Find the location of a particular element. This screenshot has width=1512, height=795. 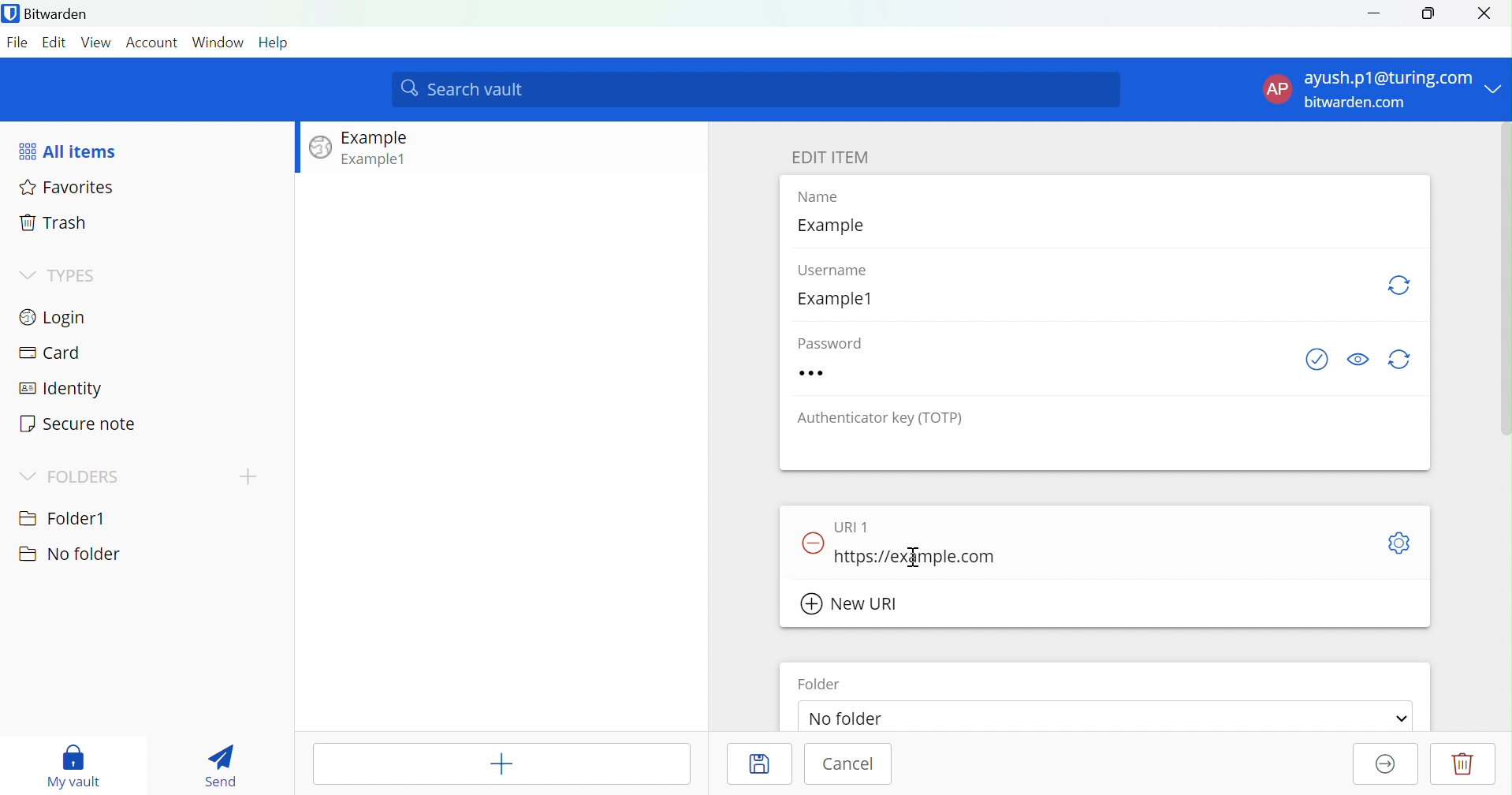

Toggle Visibility is located at coordinates (1359, 358).